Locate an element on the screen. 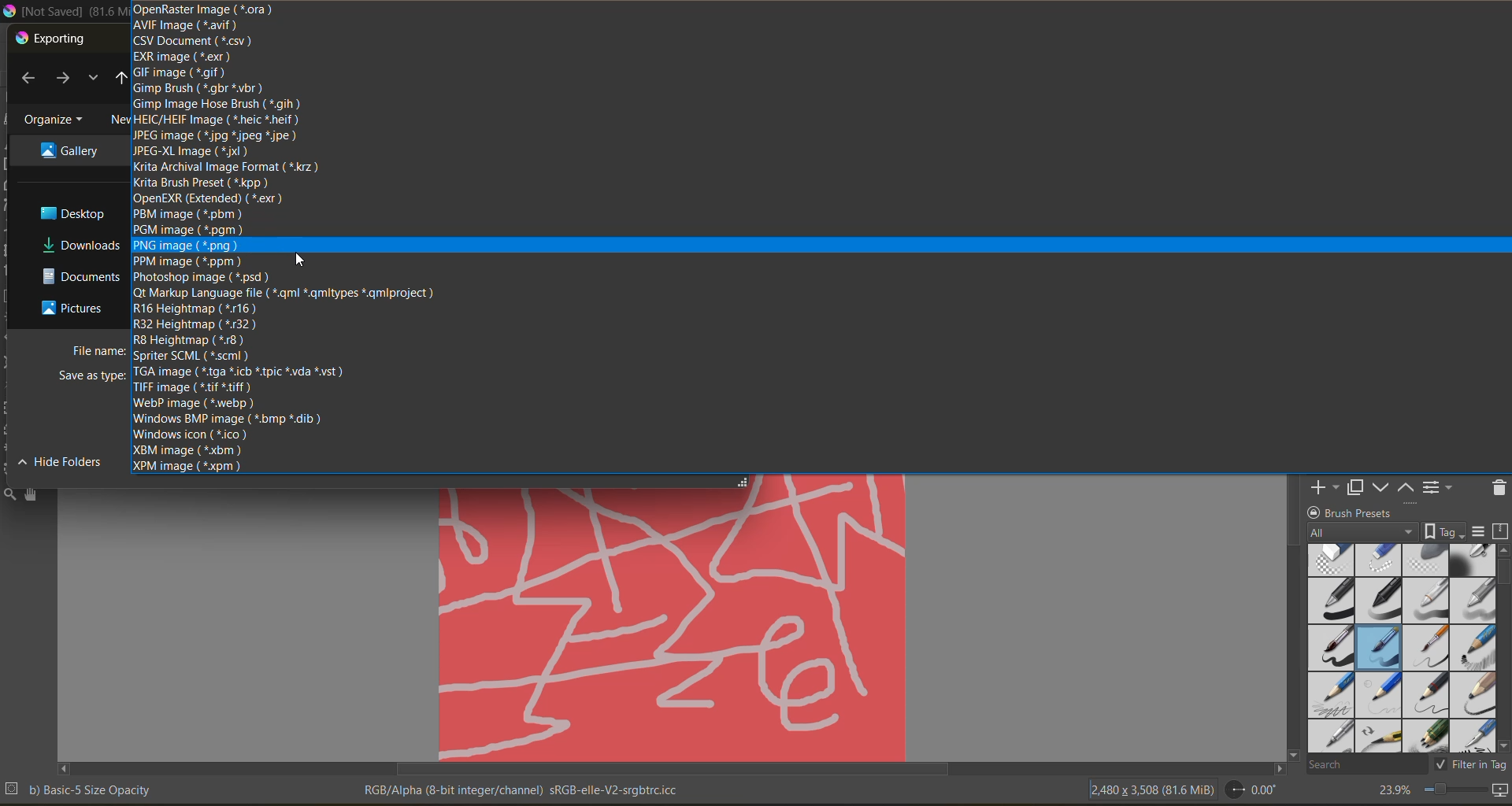  pbm image is located at coordinates (191, 213).